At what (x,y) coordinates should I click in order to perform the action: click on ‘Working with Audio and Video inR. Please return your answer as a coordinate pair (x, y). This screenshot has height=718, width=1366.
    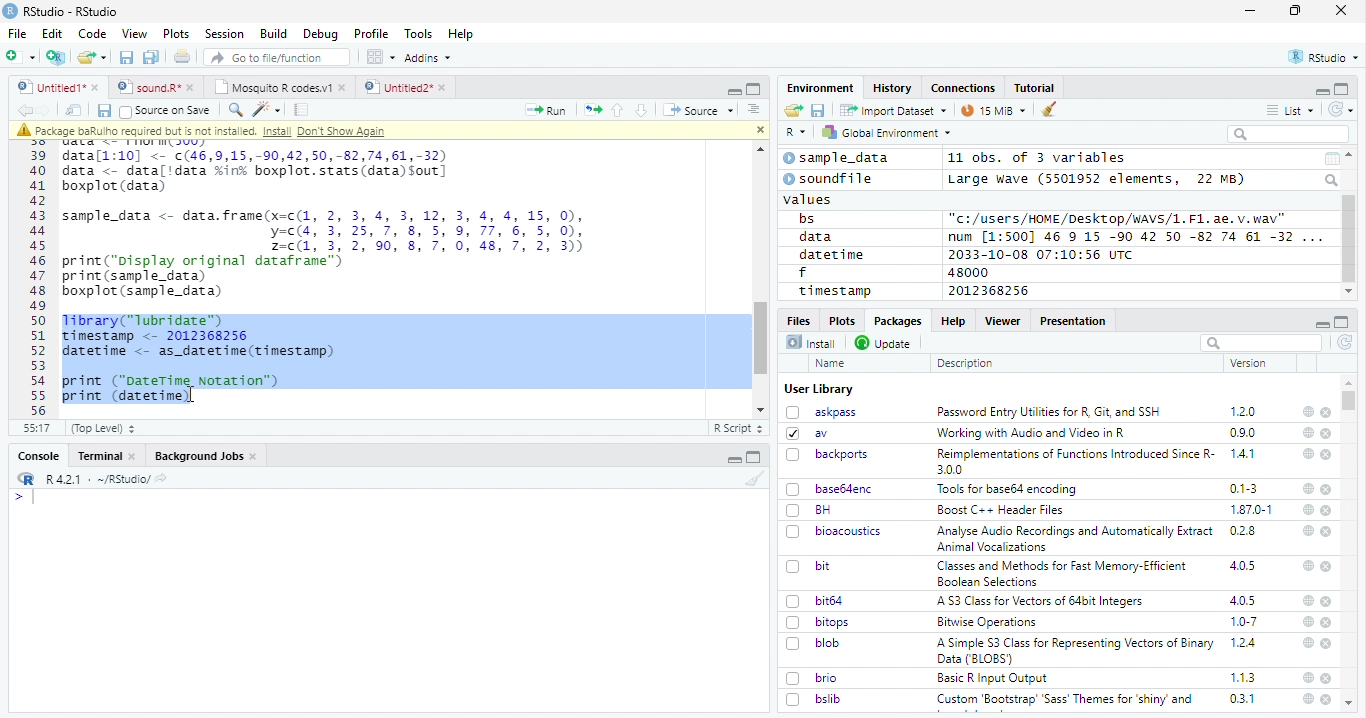
    Looking at the image, I should click on (1033, 433).